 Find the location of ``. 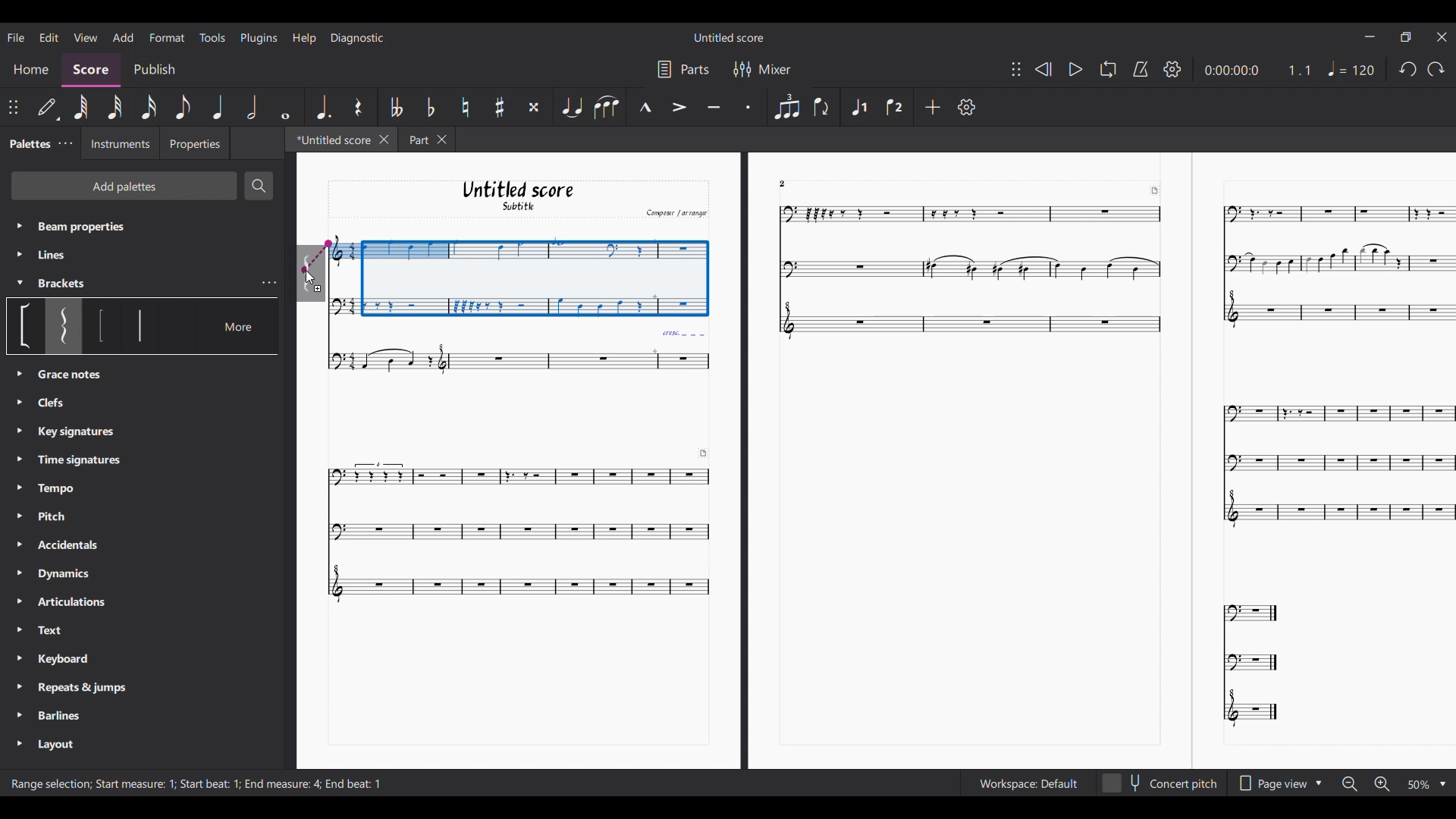

 is located at coordinates (521, 585).